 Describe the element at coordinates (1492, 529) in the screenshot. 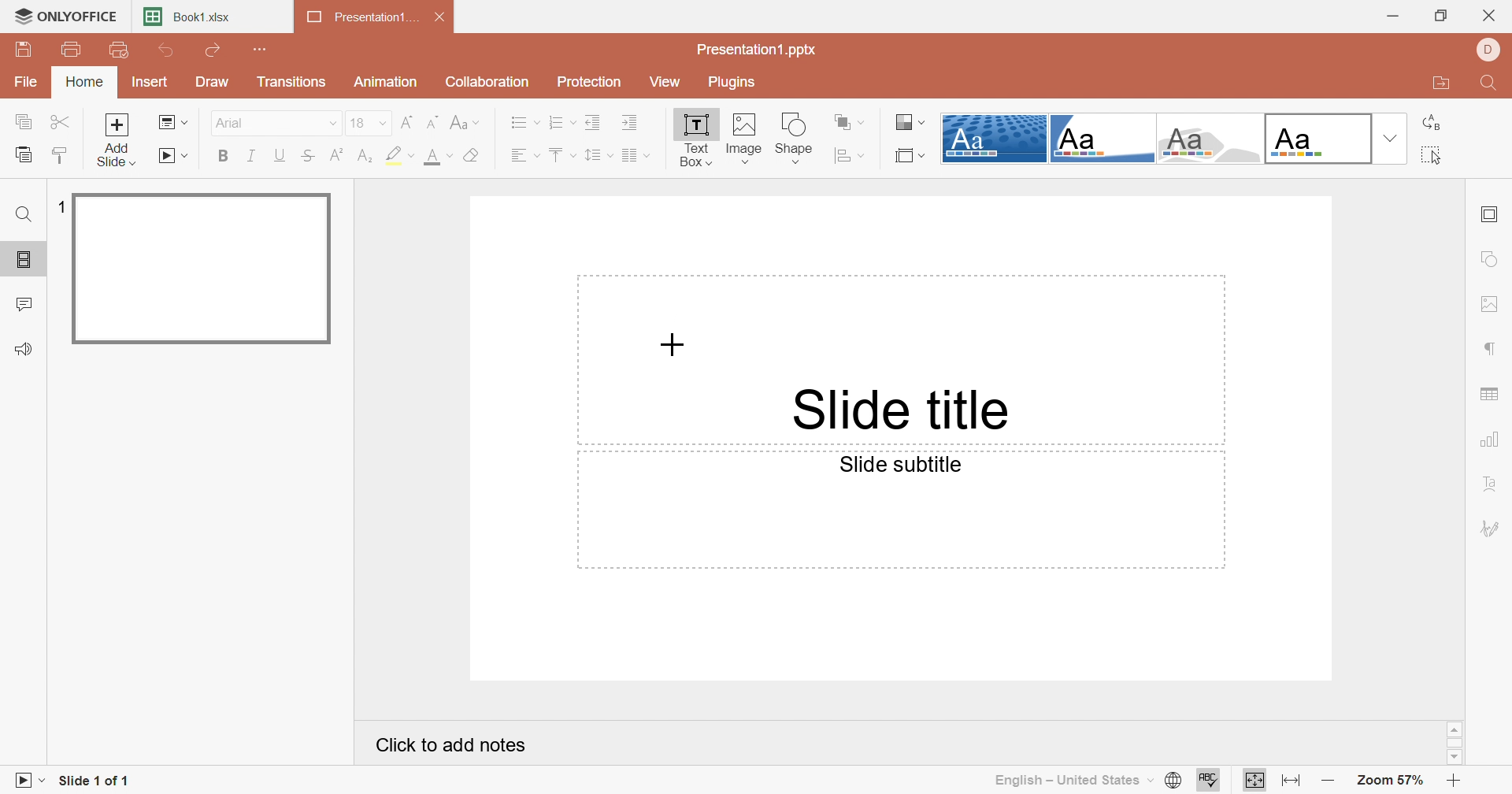

I see `Signature settings` at that location.